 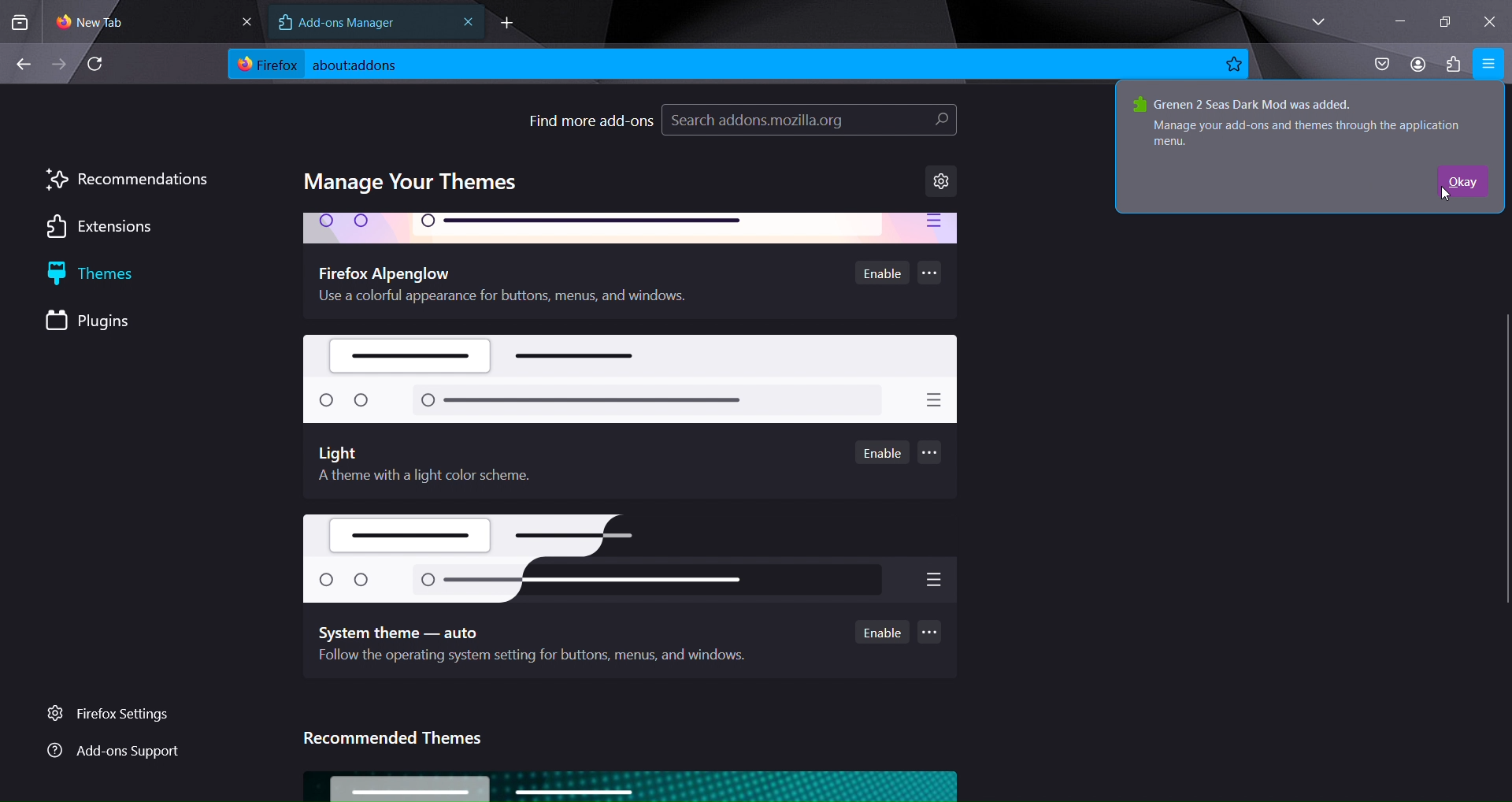 I want to click on bookmark page, so click(x=1234, y=64).